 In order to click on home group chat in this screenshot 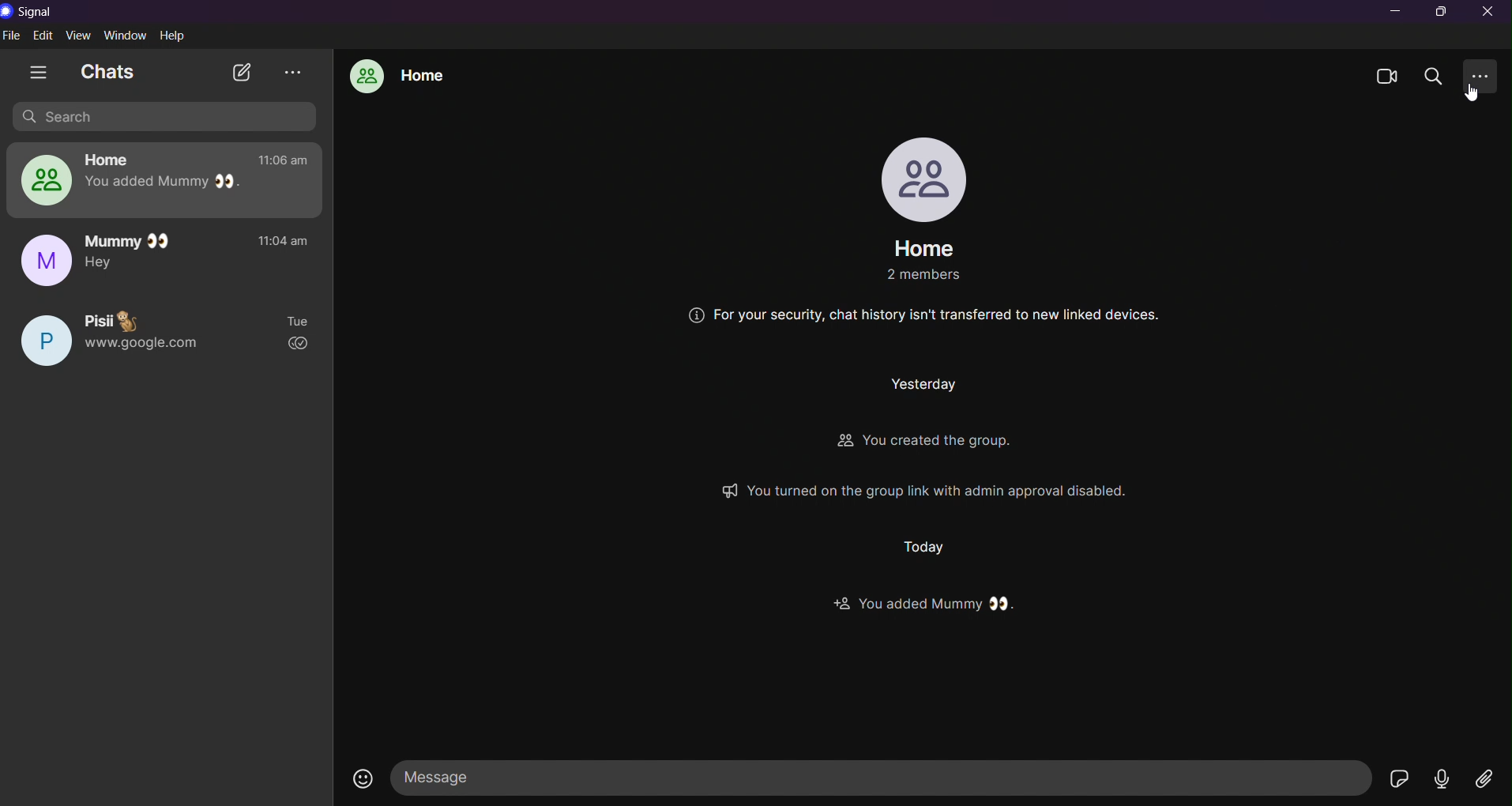, I will do `click(397, 77)`.